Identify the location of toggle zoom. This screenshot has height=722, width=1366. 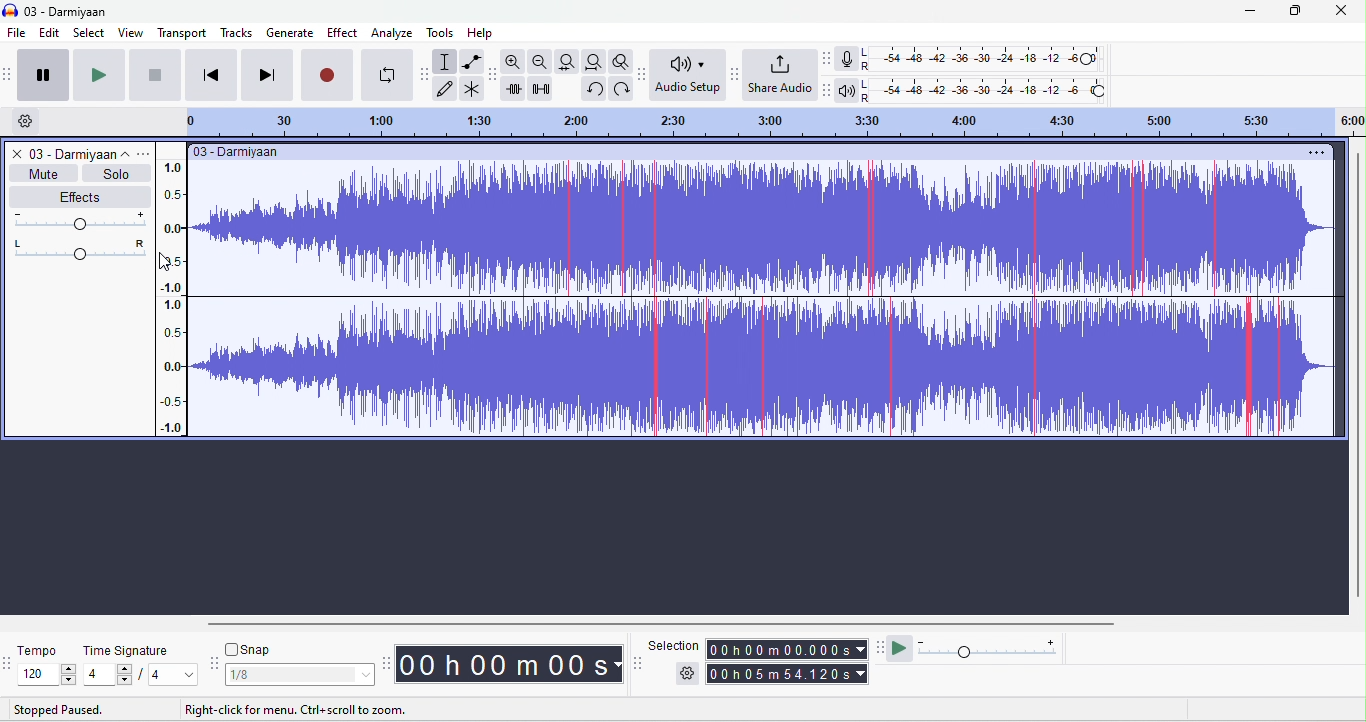
(621, 61).